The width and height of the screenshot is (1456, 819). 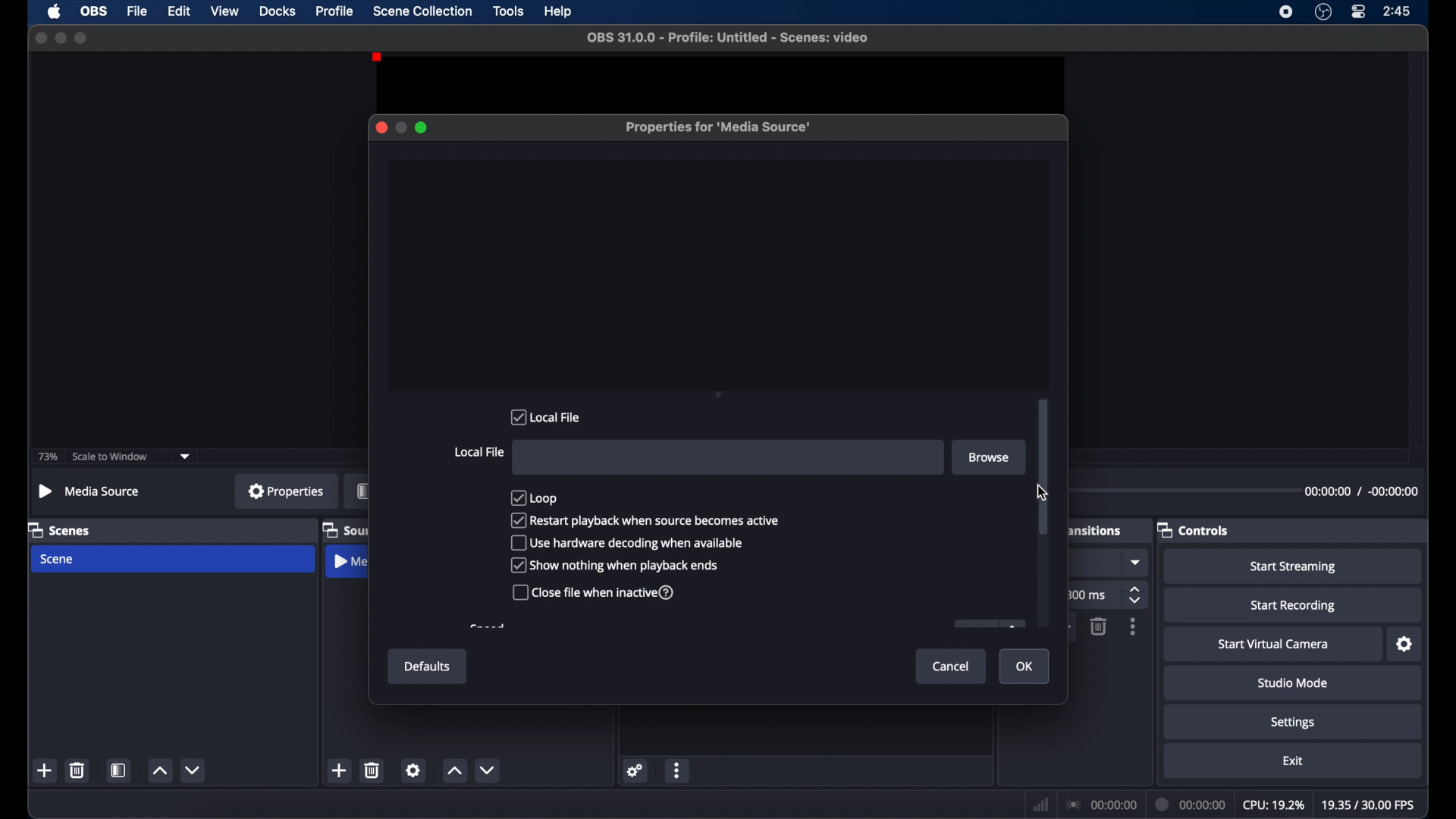 What do you see at coordinates (82, 39) in the screenshot?
I see `maximize` at bounding box center [82, 39].